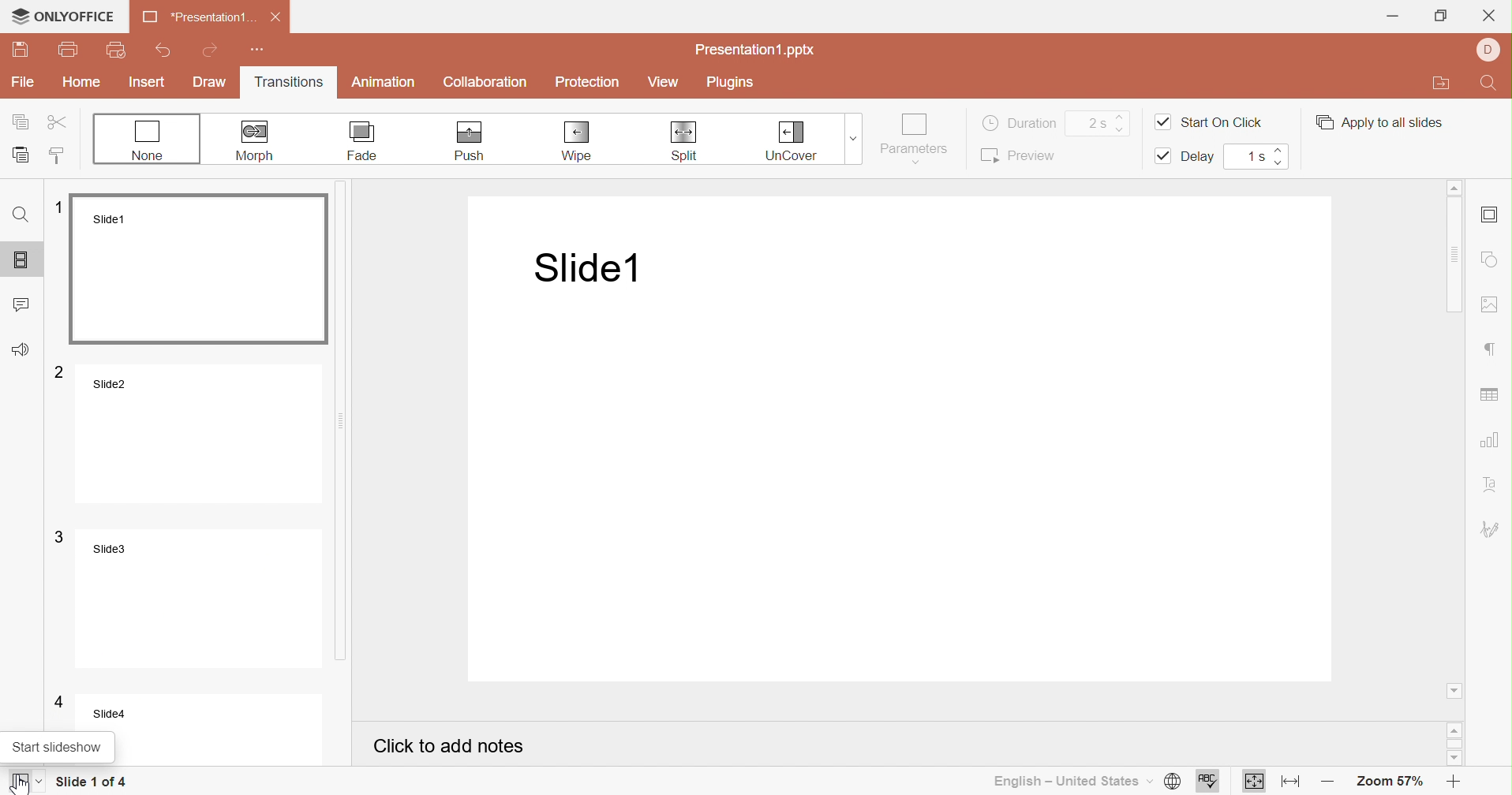 Image resolution: width=1512 pixels, height=795 pixels. I want to click on Minimize, so click(1392, 15).